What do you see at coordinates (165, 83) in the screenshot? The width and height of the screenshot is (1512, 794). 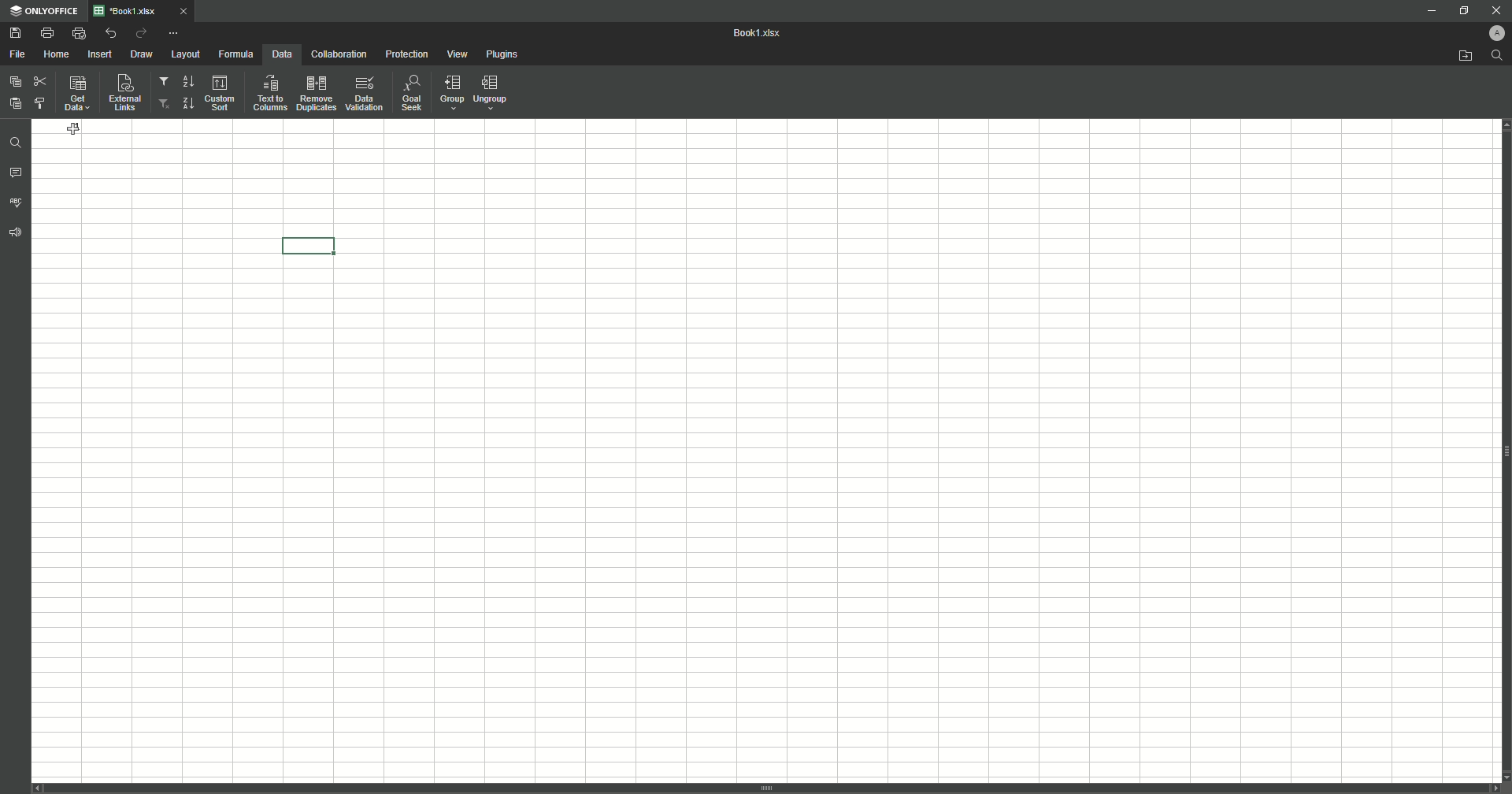 I see `Filter` at bounding box center [165, 83].